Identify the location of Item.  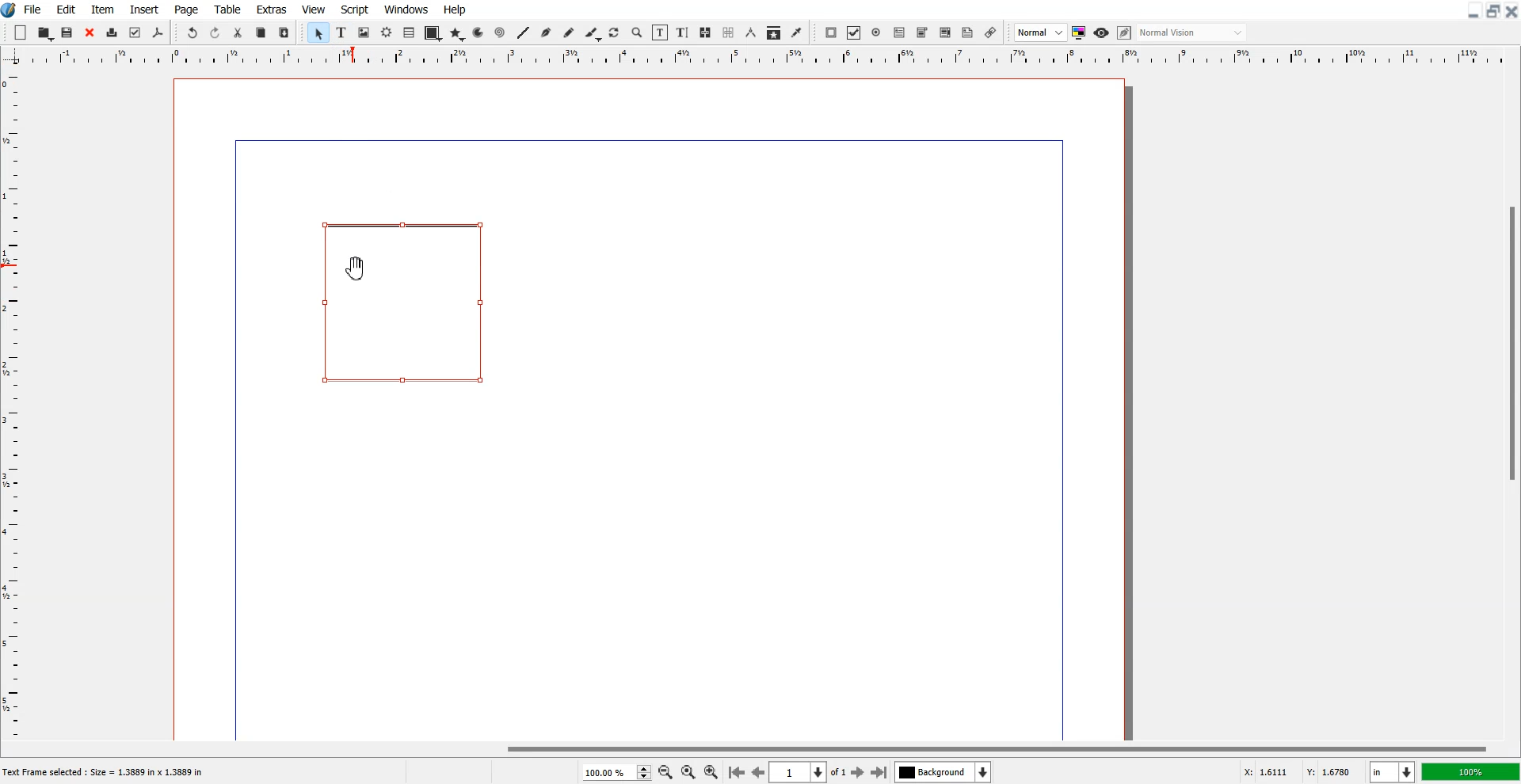
(102, 10).